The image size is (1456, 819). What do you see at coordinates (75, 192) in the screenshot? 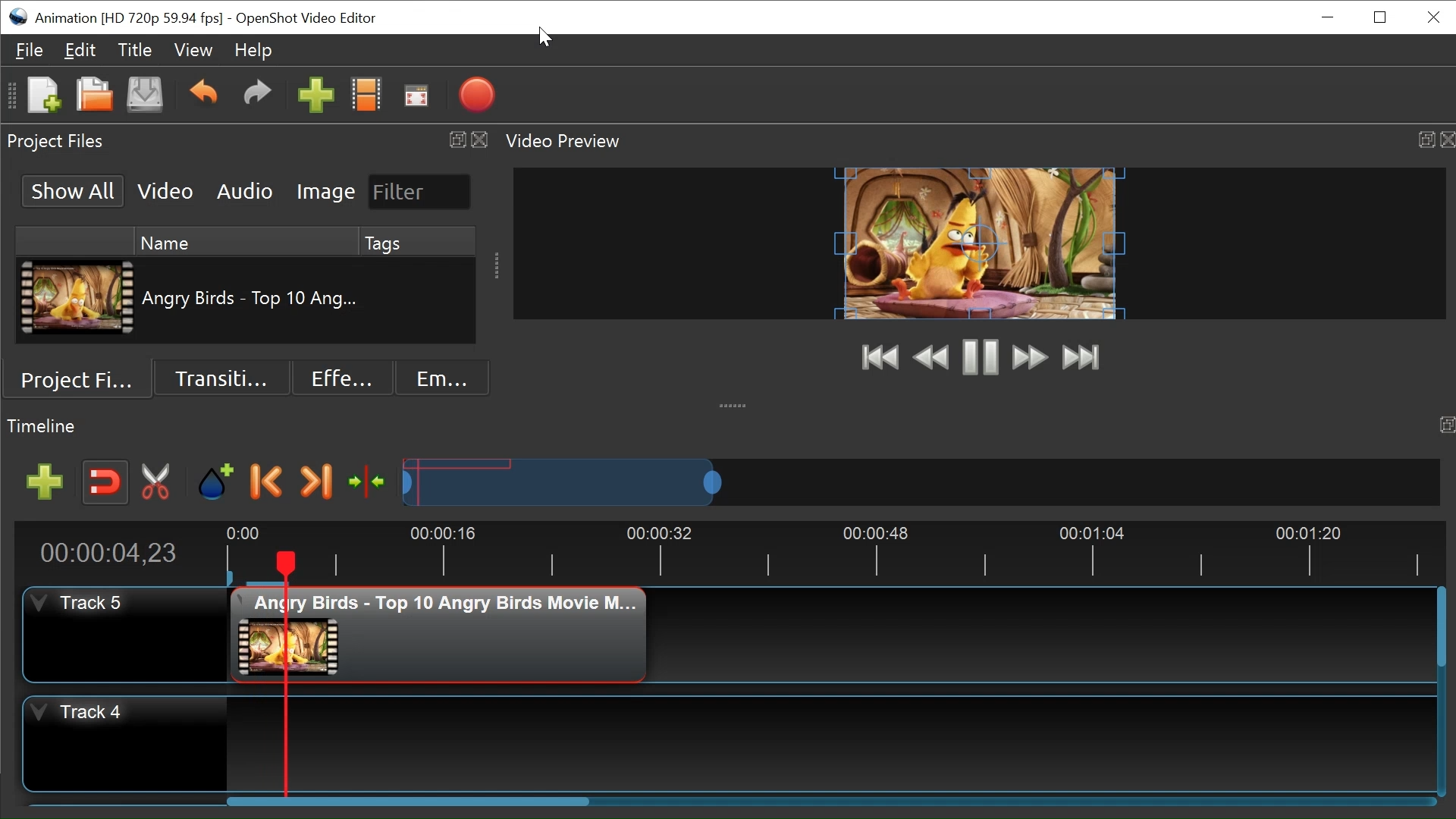
I see `Show All` at bounding box center [75, 192].